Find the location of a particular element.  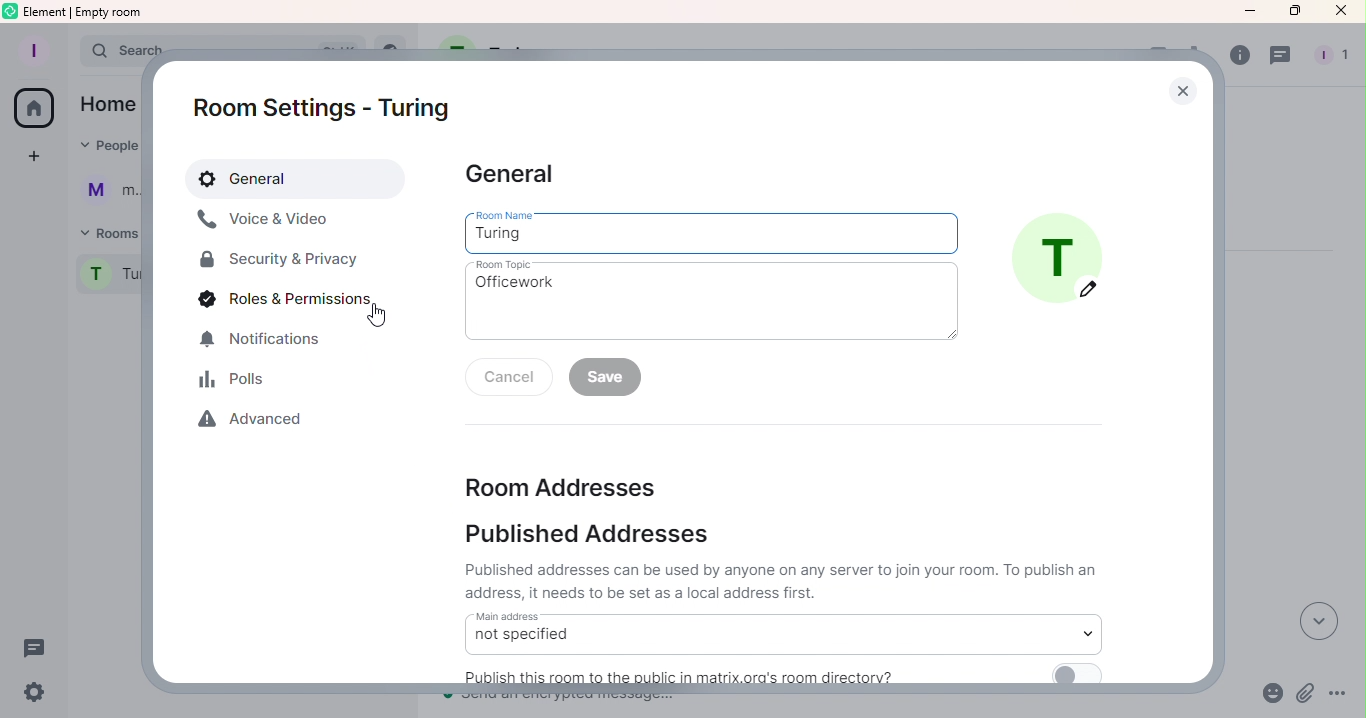

Scroll to most recent messages is located at coordinates (1315, 621).